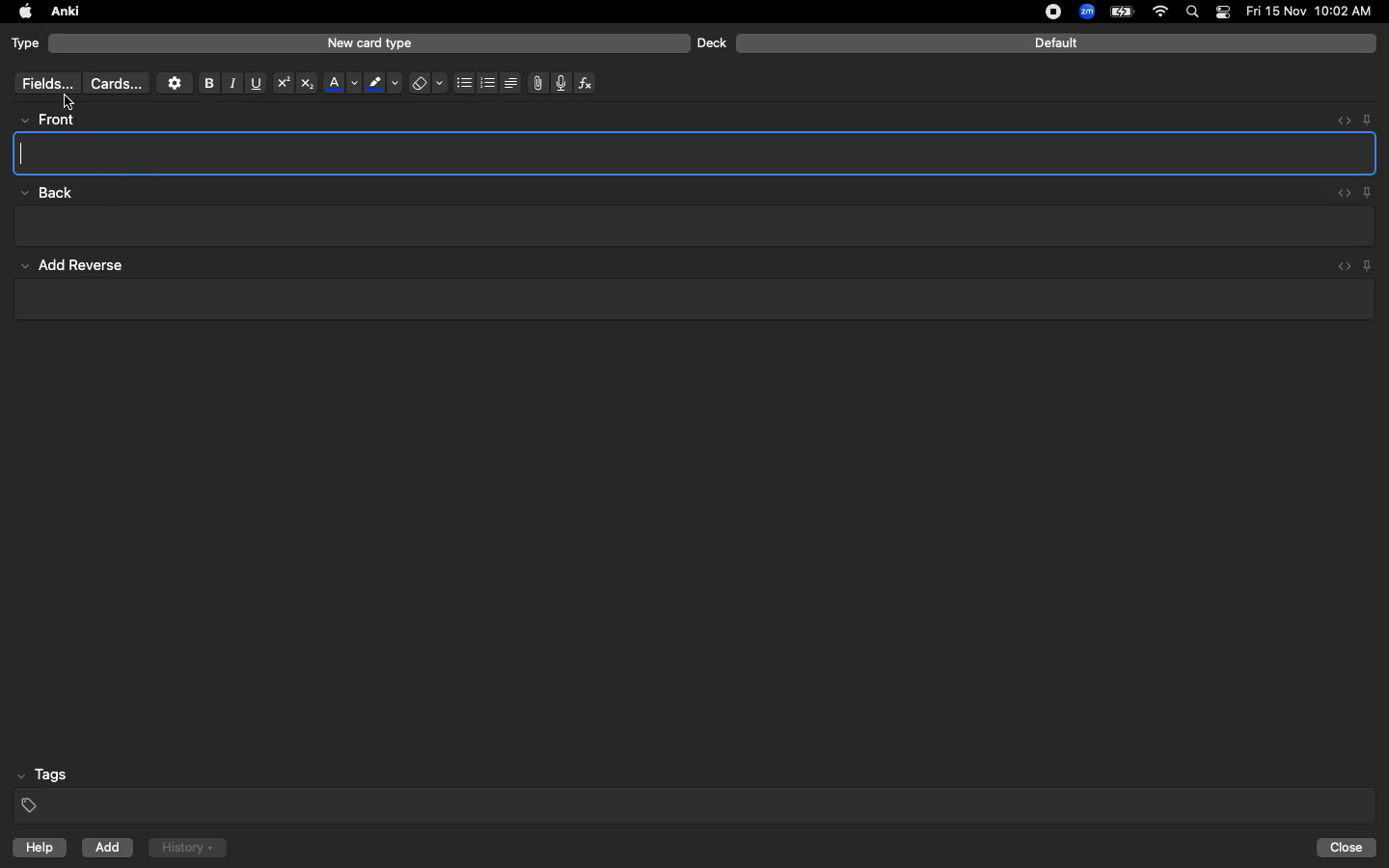 The height and width of the screenshot is (868, 1389). I want to click on Zoom, so click(1085, 13).